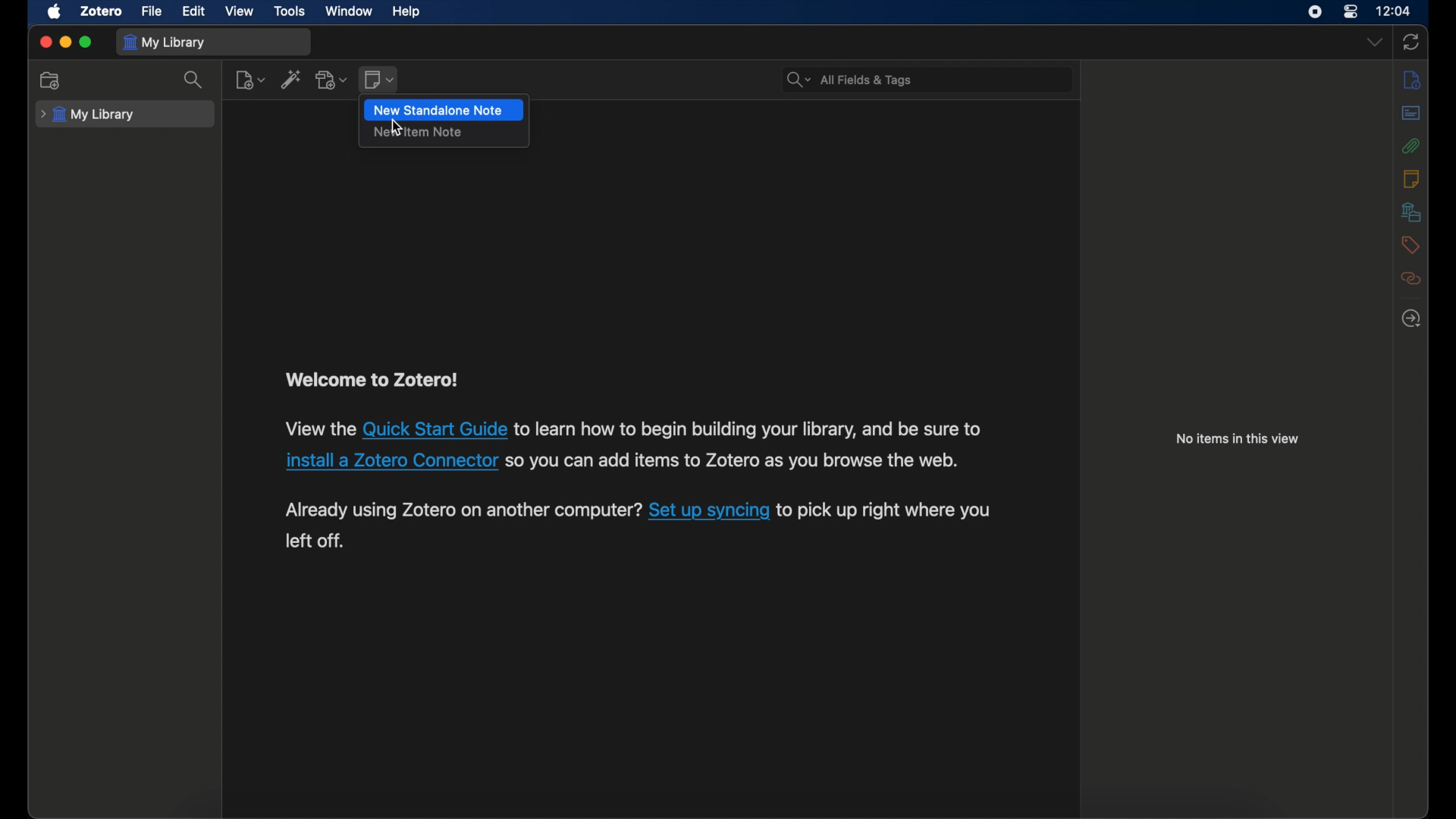  What do you see at coordinates (1412, 178) in the screenshot?
I see `notes` at bounding box center [1412, 178].